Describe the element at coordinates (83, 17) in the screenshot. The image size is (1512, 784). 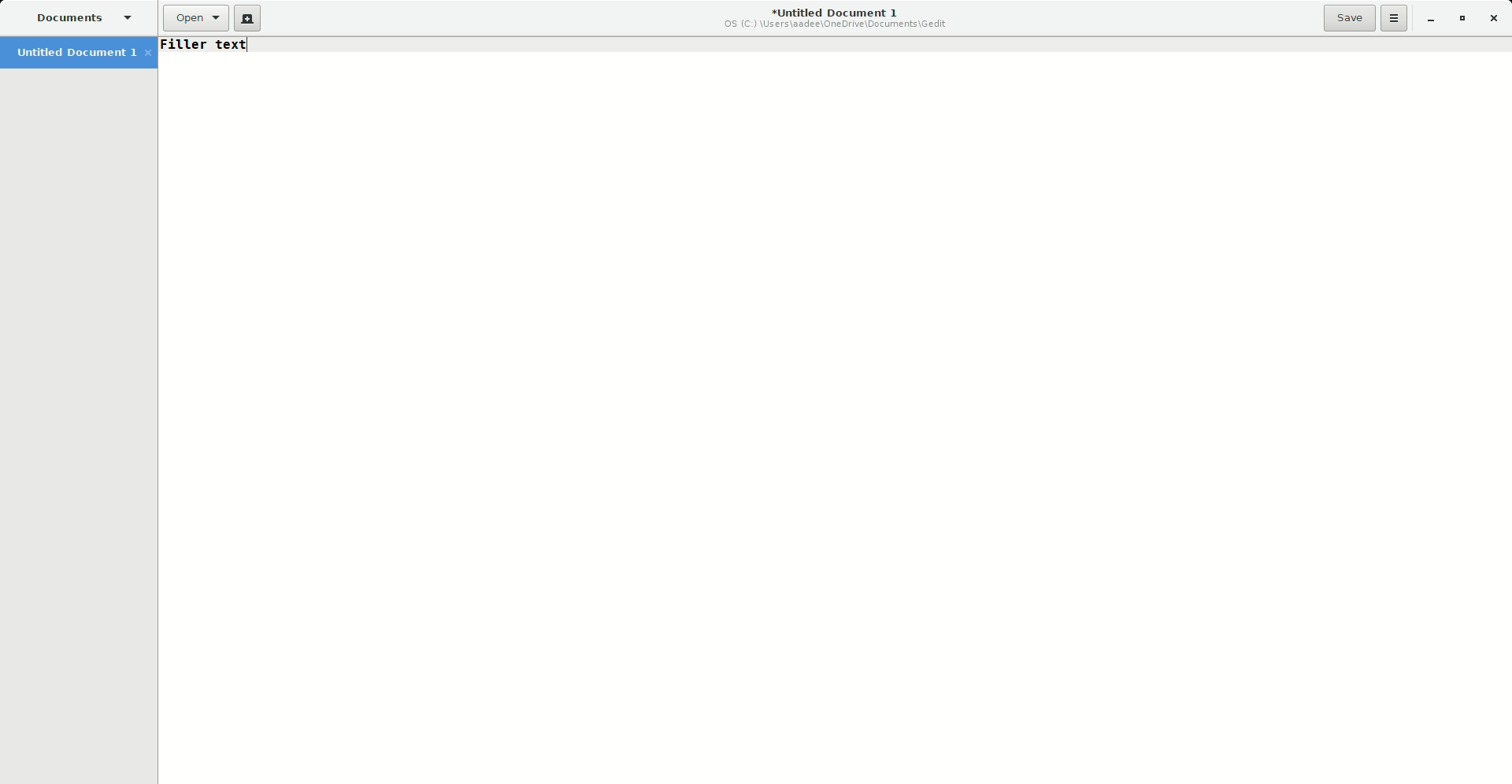
I see `Documents` at that location.